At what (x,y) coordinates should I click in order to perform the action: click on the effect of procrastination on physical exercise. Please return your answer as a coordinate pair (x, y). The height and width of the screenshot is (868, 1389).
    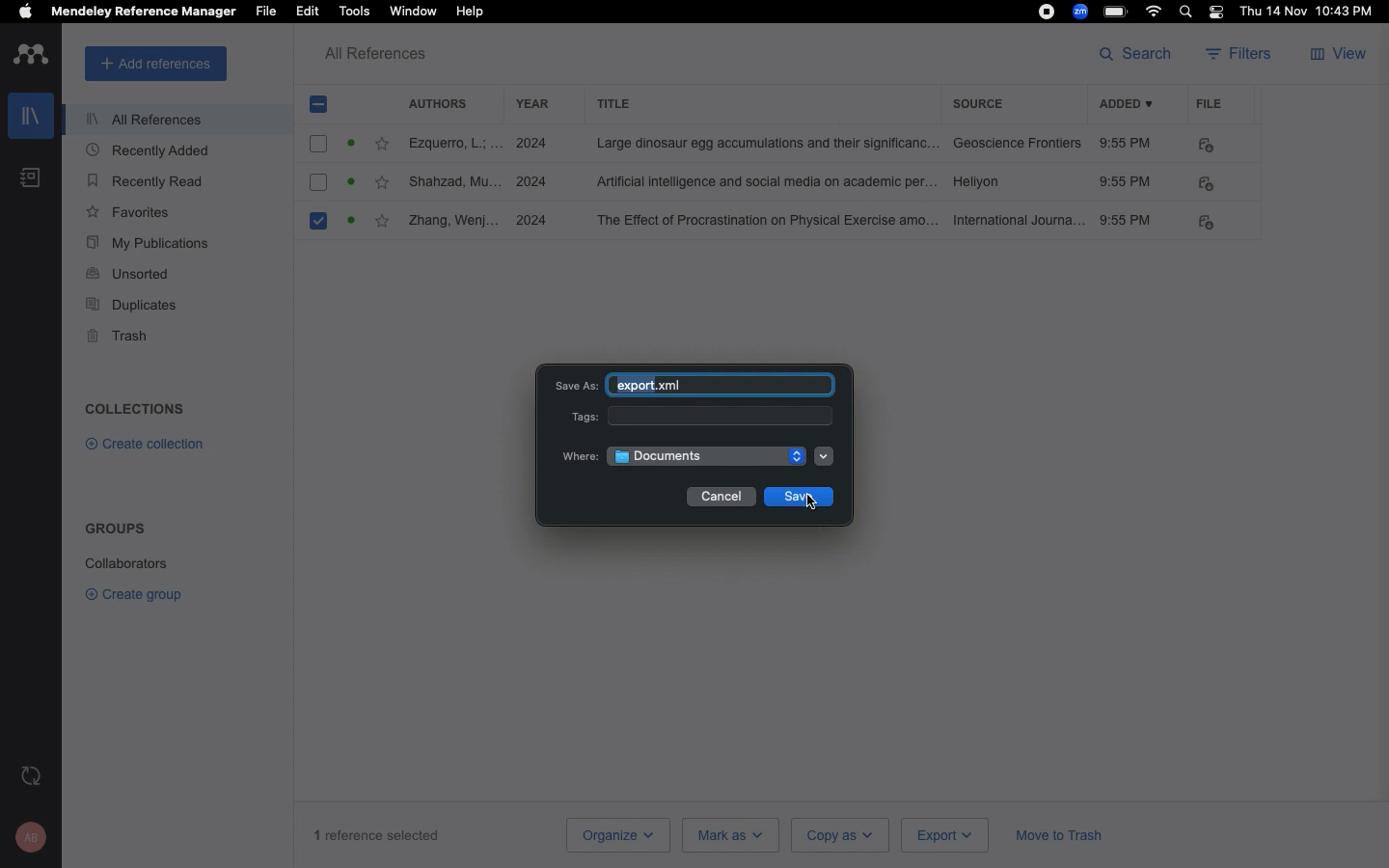
    Looking at the image, I should click on (768, 222).